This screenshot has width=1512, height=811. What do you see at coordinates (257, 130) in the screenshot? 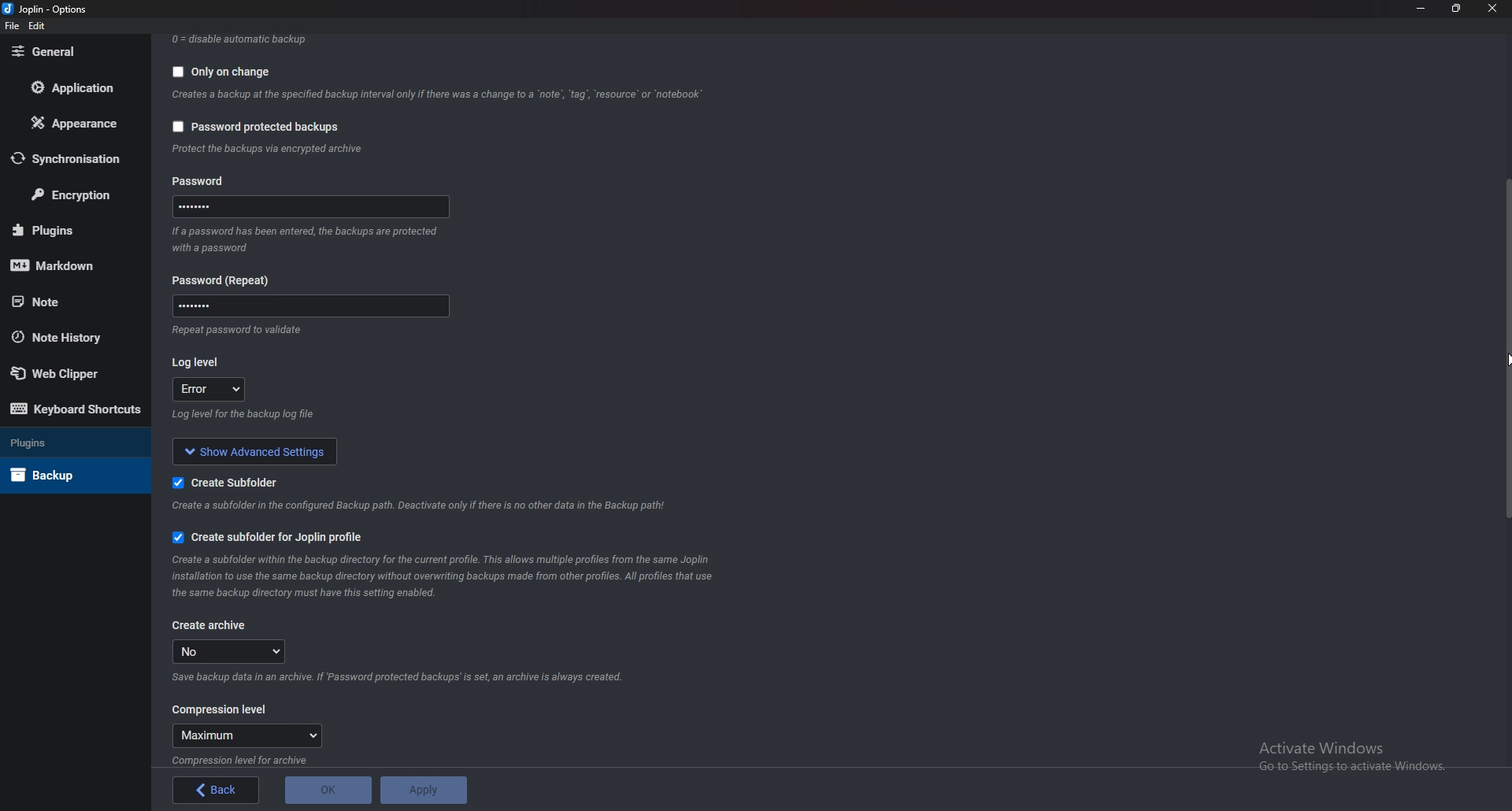
I see `password protected backups` at bounding box center [257, 130].